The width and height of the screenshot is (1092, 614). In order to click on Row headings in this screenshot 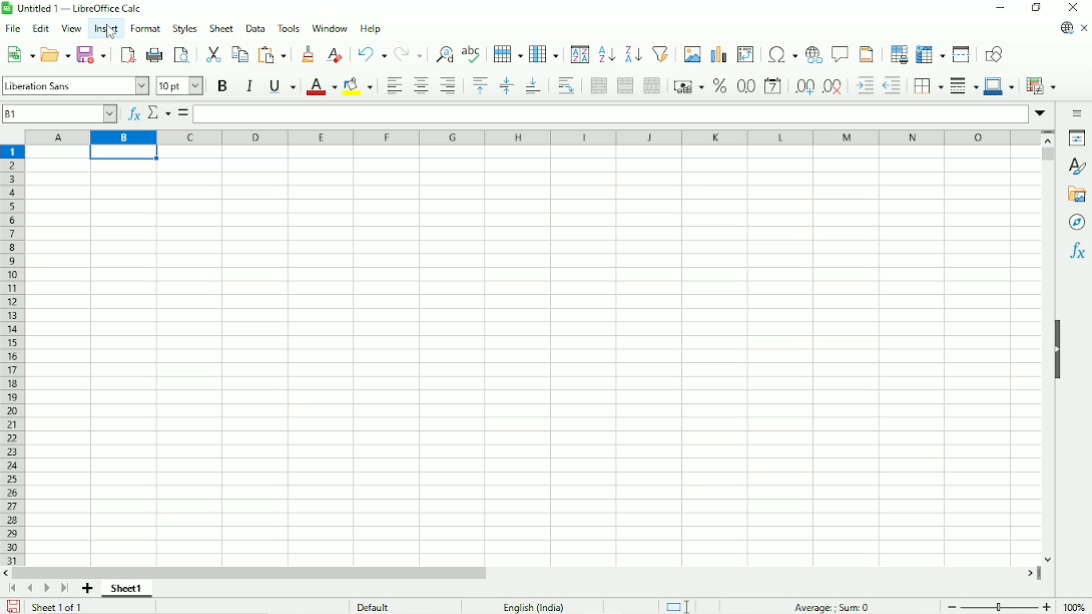, I will do `click(14, 356)`.